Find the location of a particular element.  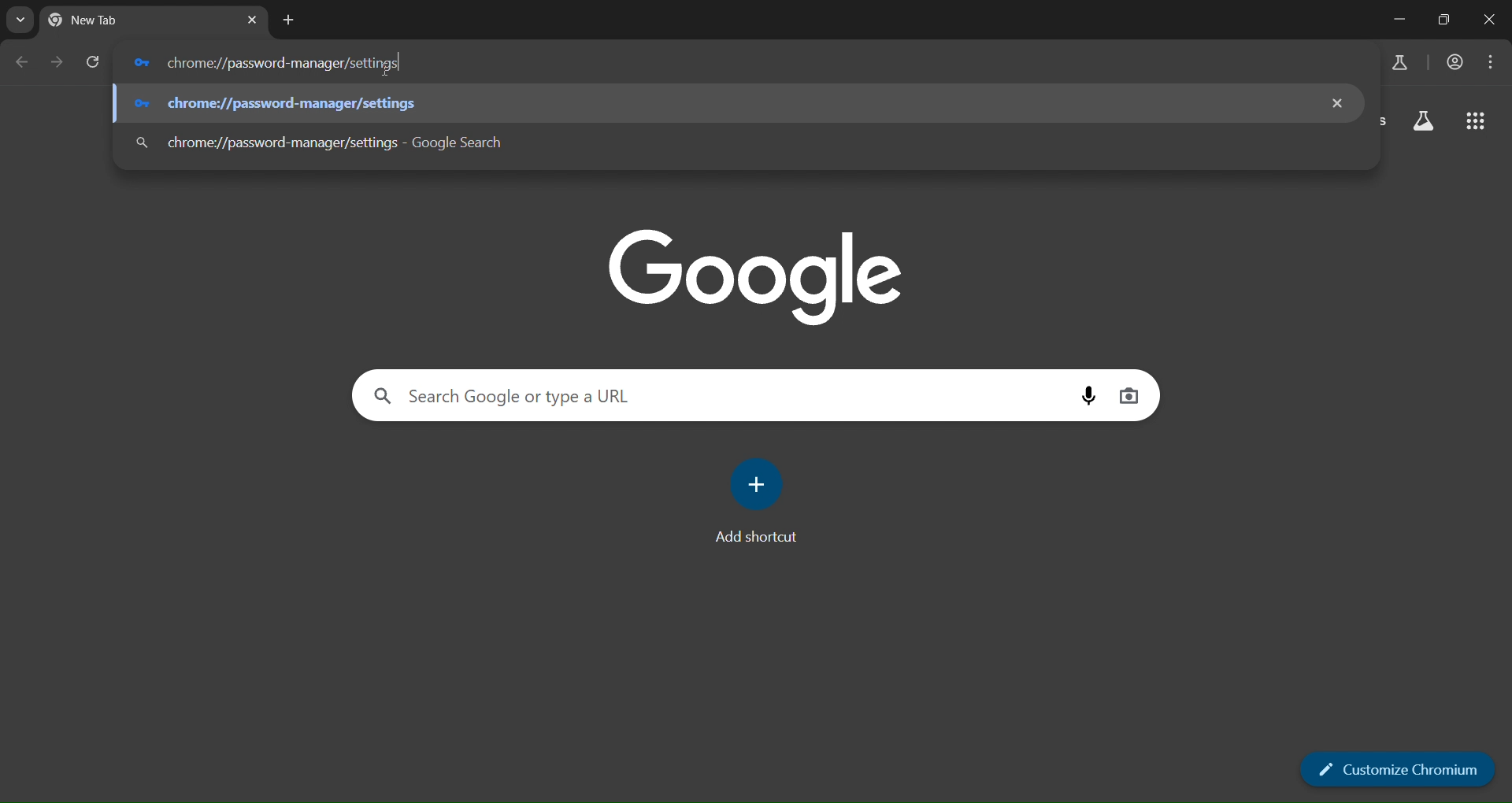

search labs is located at coordinates (1399, 61).